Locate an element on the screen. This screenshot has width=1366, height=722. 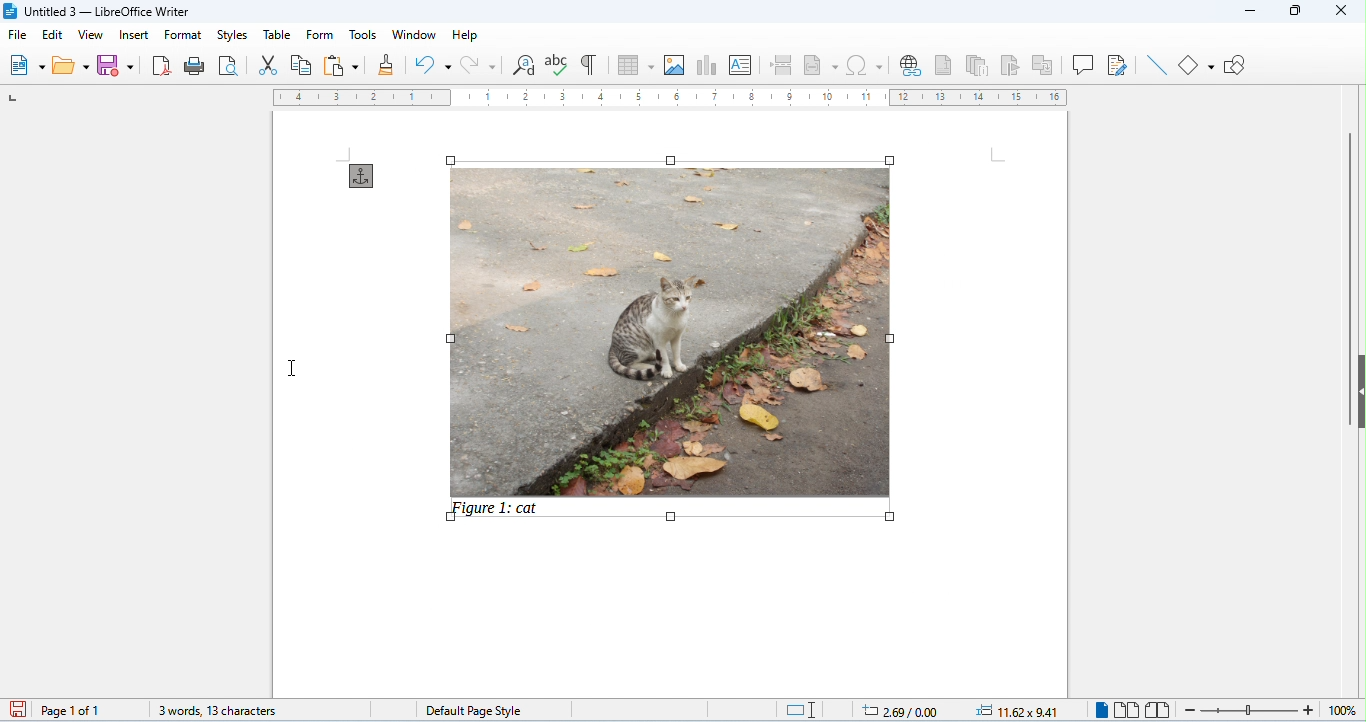
paste is located at coordinates (341, 65).